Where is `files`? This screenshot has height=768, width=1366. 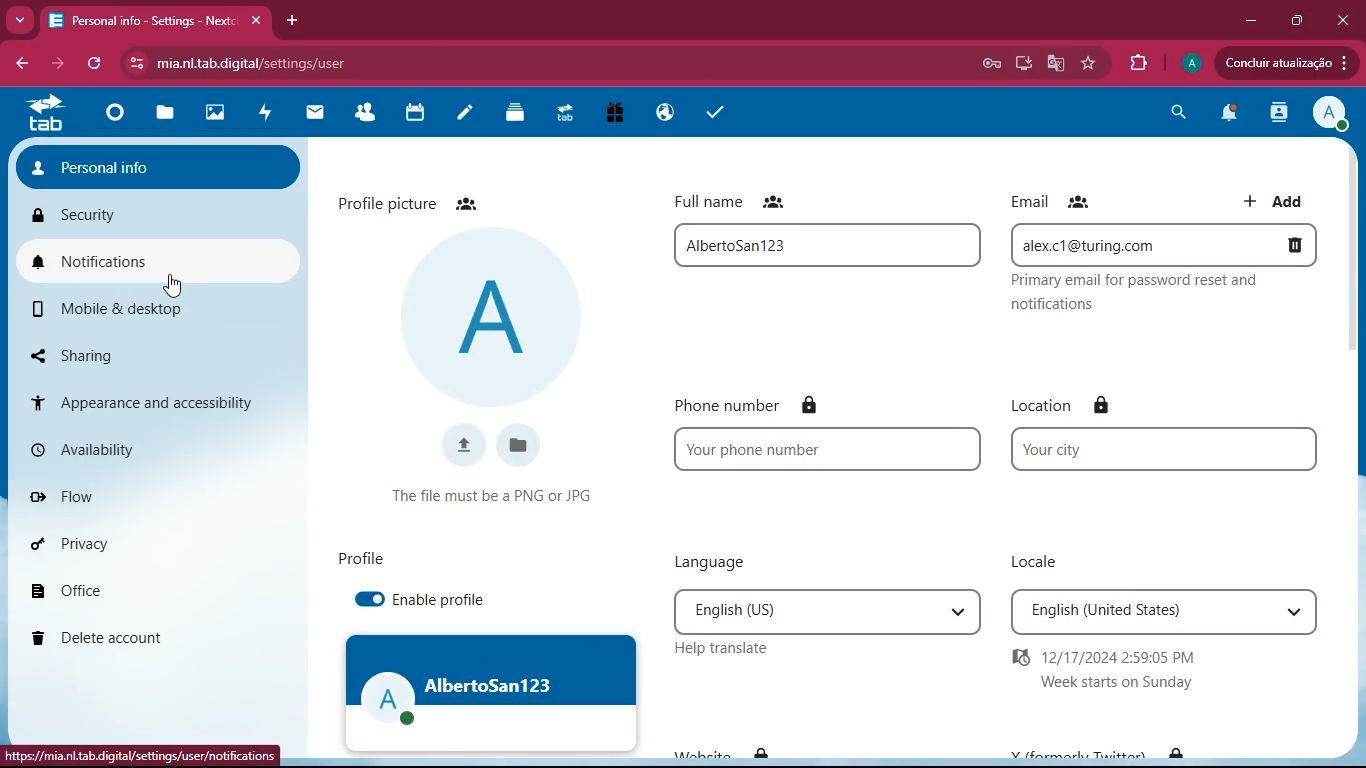
files is located at coordinates (163, 115).